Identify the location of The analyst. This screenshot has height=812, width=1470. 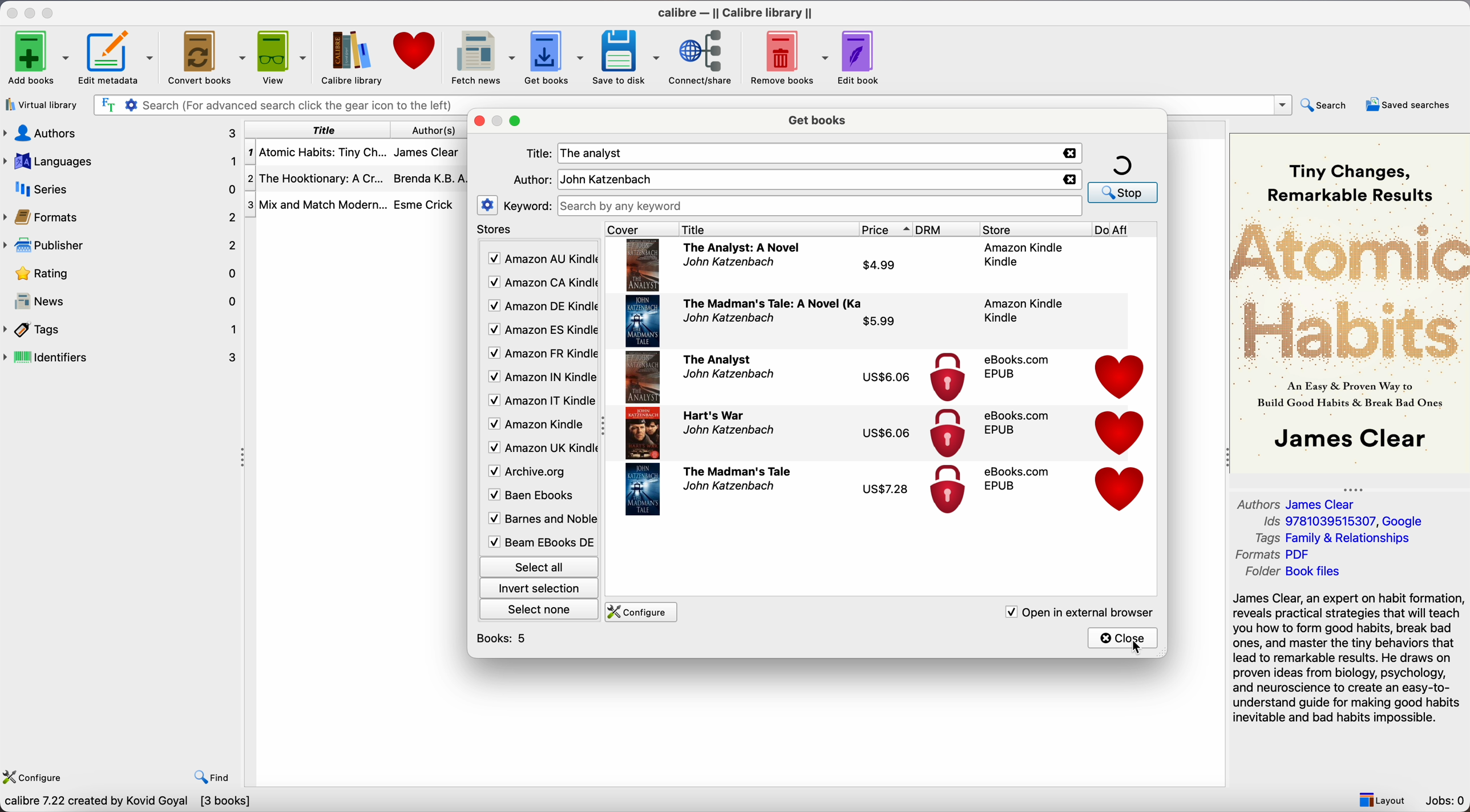
(596, 153).